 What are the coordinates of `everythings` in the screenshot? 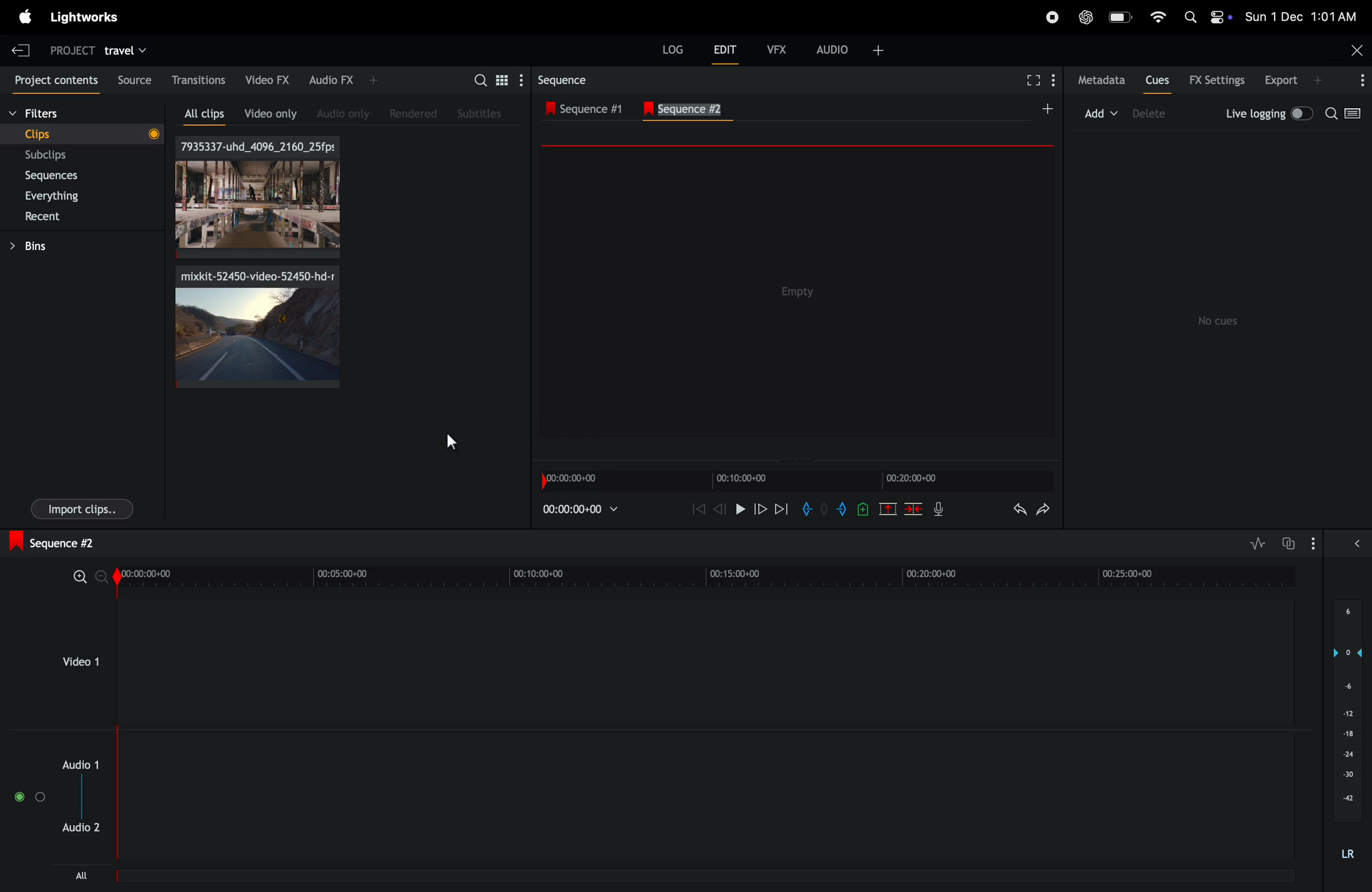 It's located at (72, 196).